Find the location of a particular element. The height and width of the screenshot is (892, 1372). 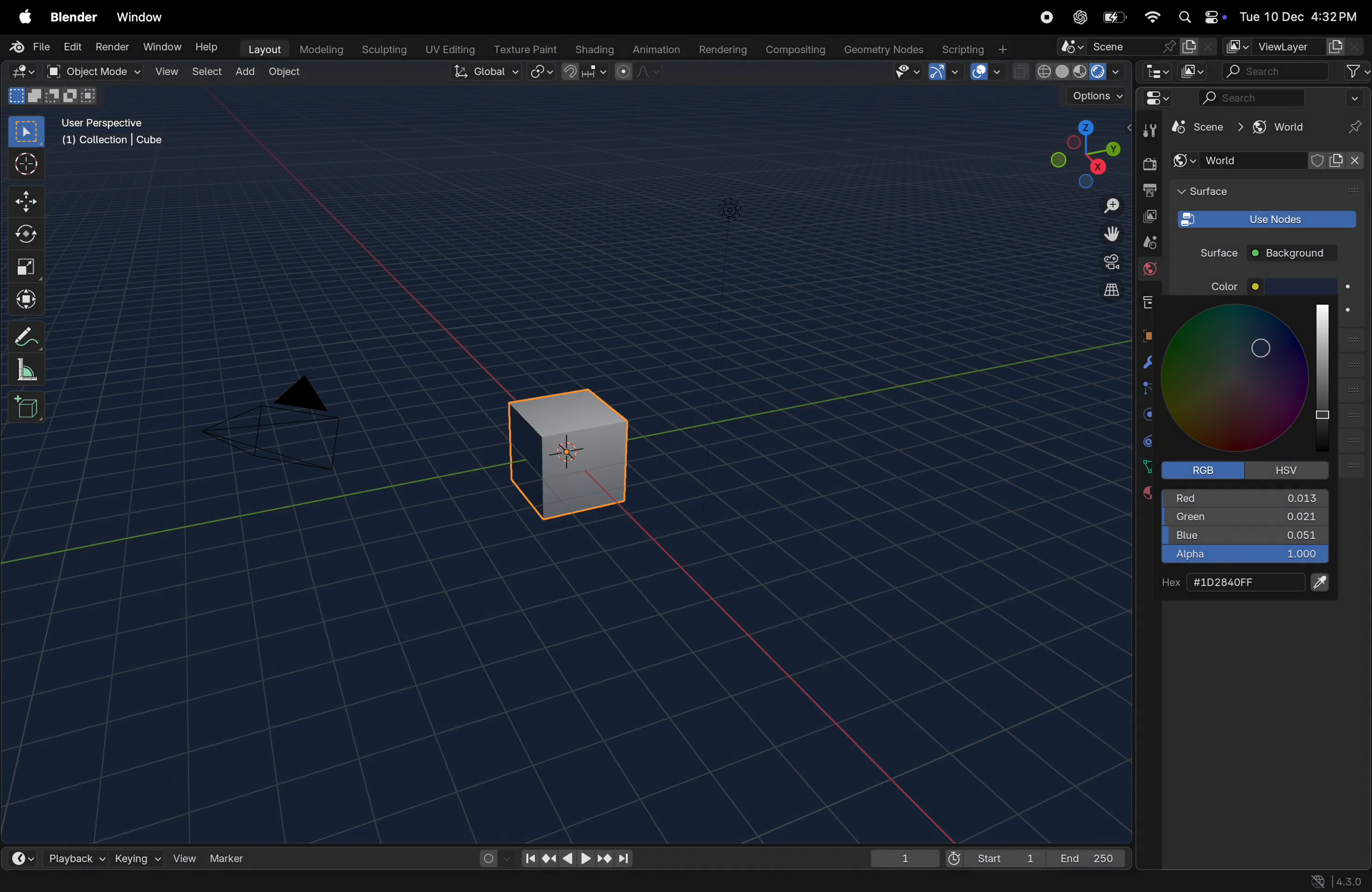

Sculpting is located at coordinates (381, 50).